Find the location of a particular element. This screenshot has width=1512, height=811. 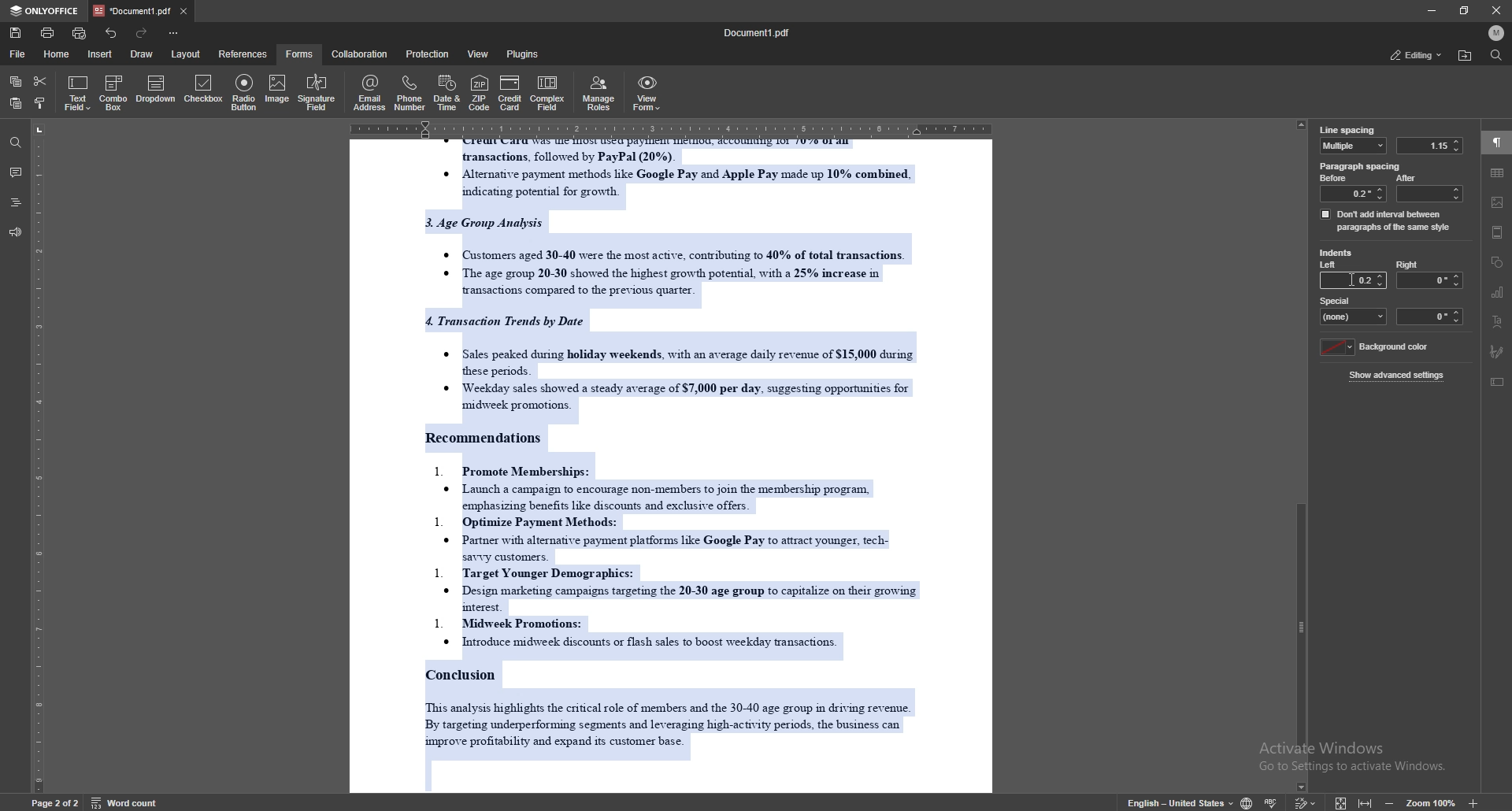

complex field is located at coordinates (550, 93).